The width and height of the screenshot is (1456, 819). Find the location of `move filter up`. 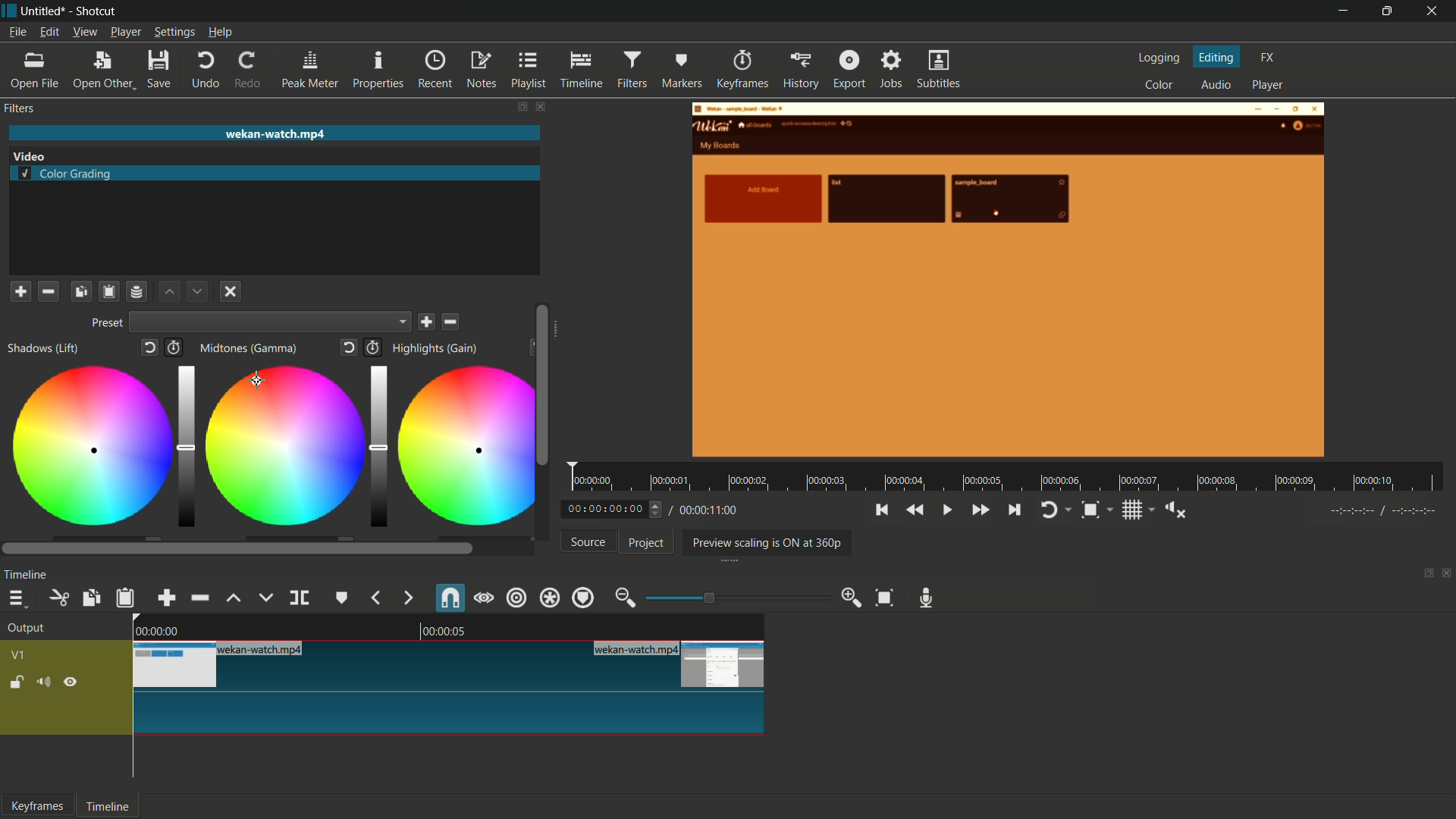

move filter up is located at coordinates (168, 292).